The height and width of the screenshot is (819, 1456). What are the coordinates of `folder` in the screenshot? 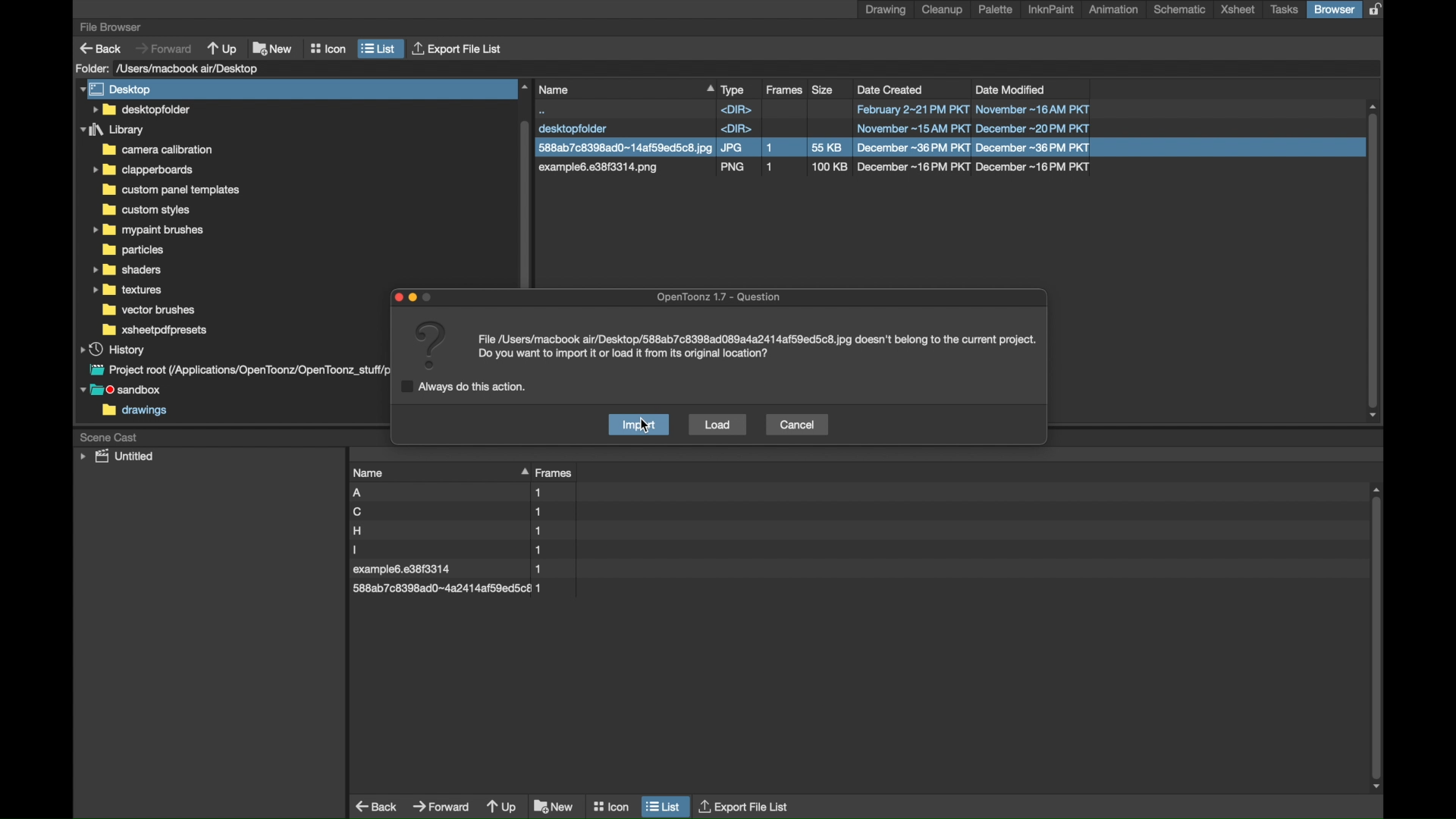 It's located at (146, 231).